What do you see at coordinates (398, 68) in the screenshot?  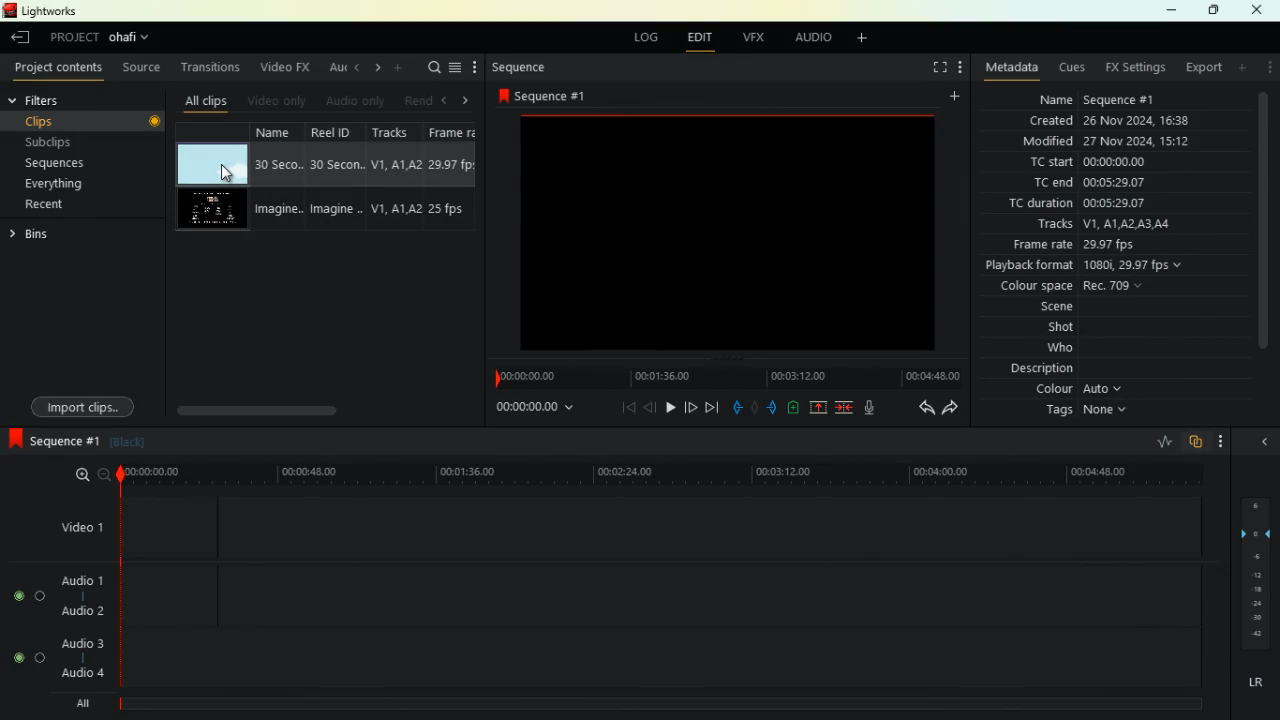 I see `more` at bounding box center [398, 68].